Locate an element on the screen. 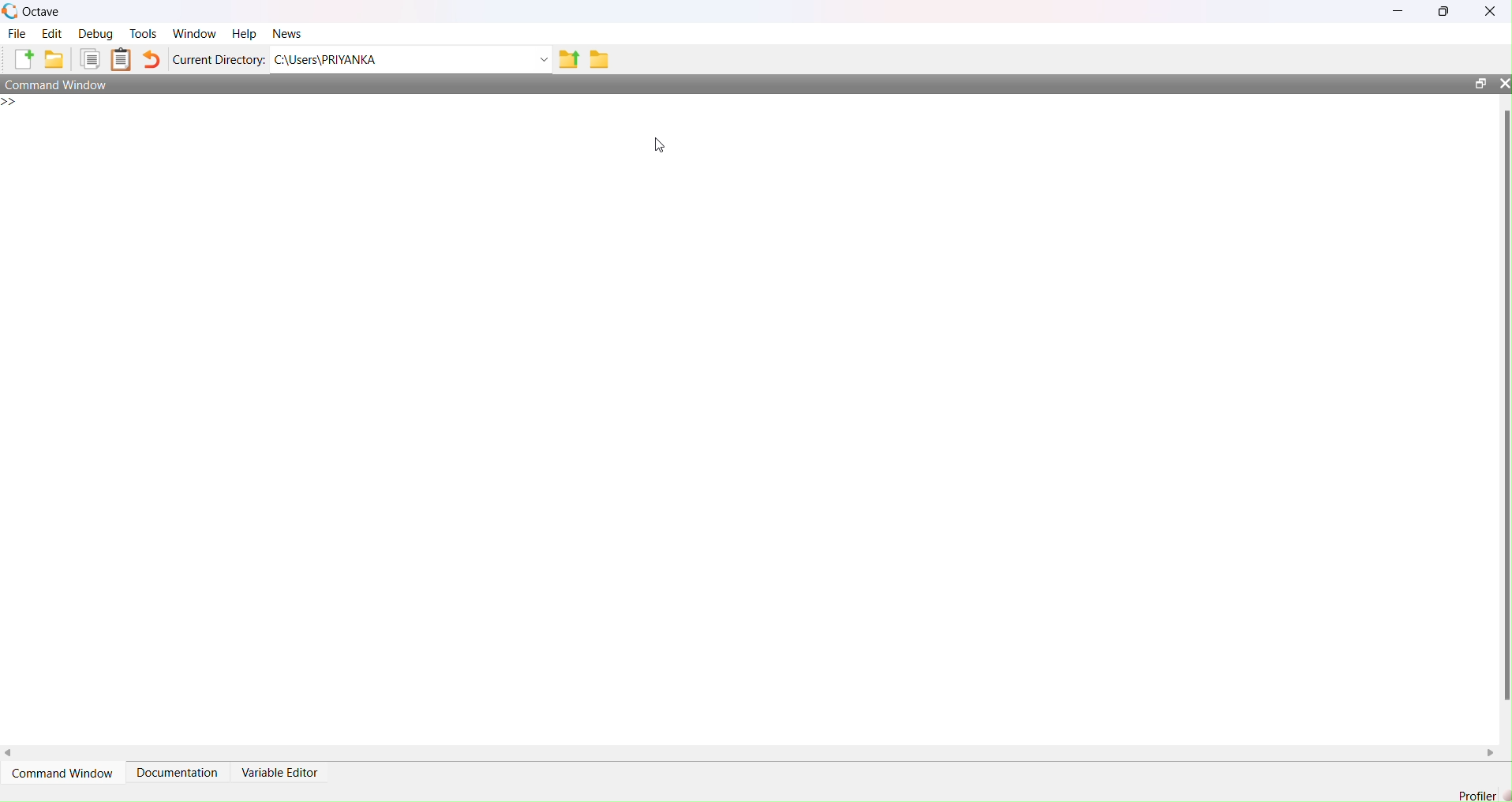 Image resolution: width=1512 pixels, height=802 pixels. Command Window is located at coordinates (62, 83).